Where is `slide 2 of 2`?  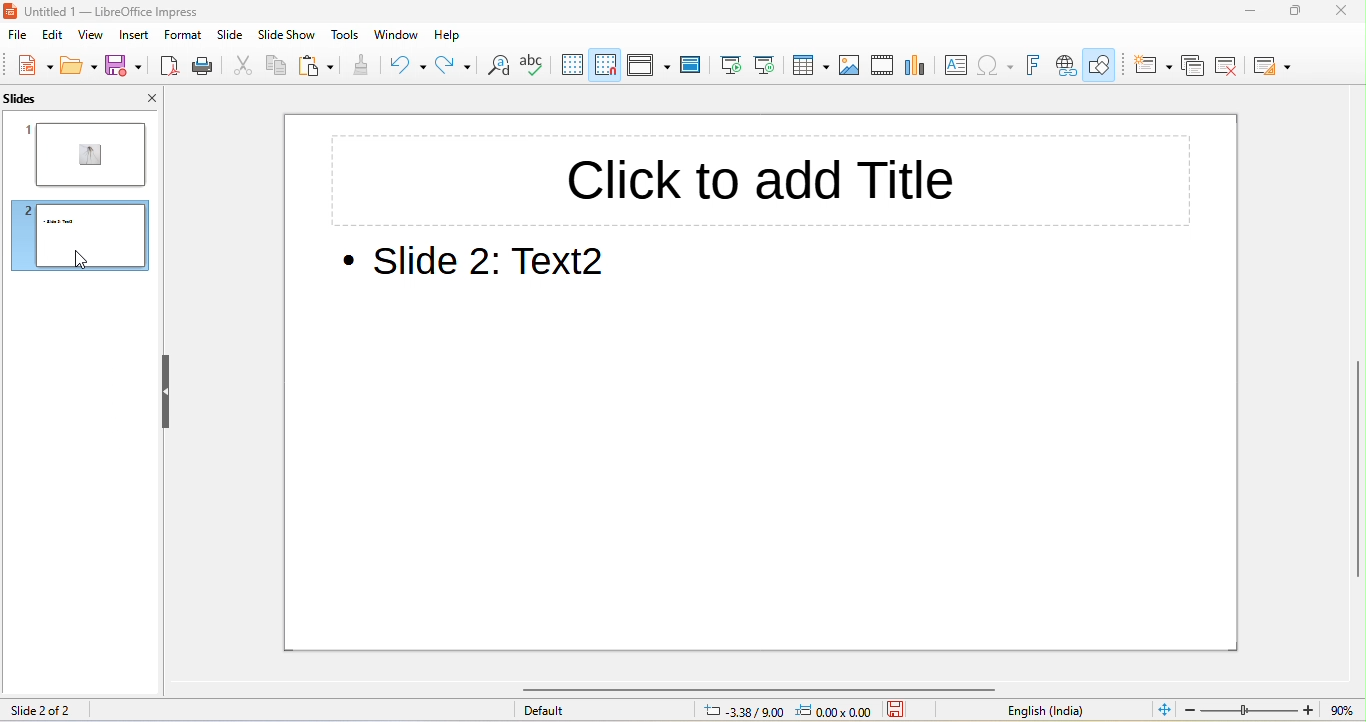
slide 2 of 2 is located at coordinates (50, 709).